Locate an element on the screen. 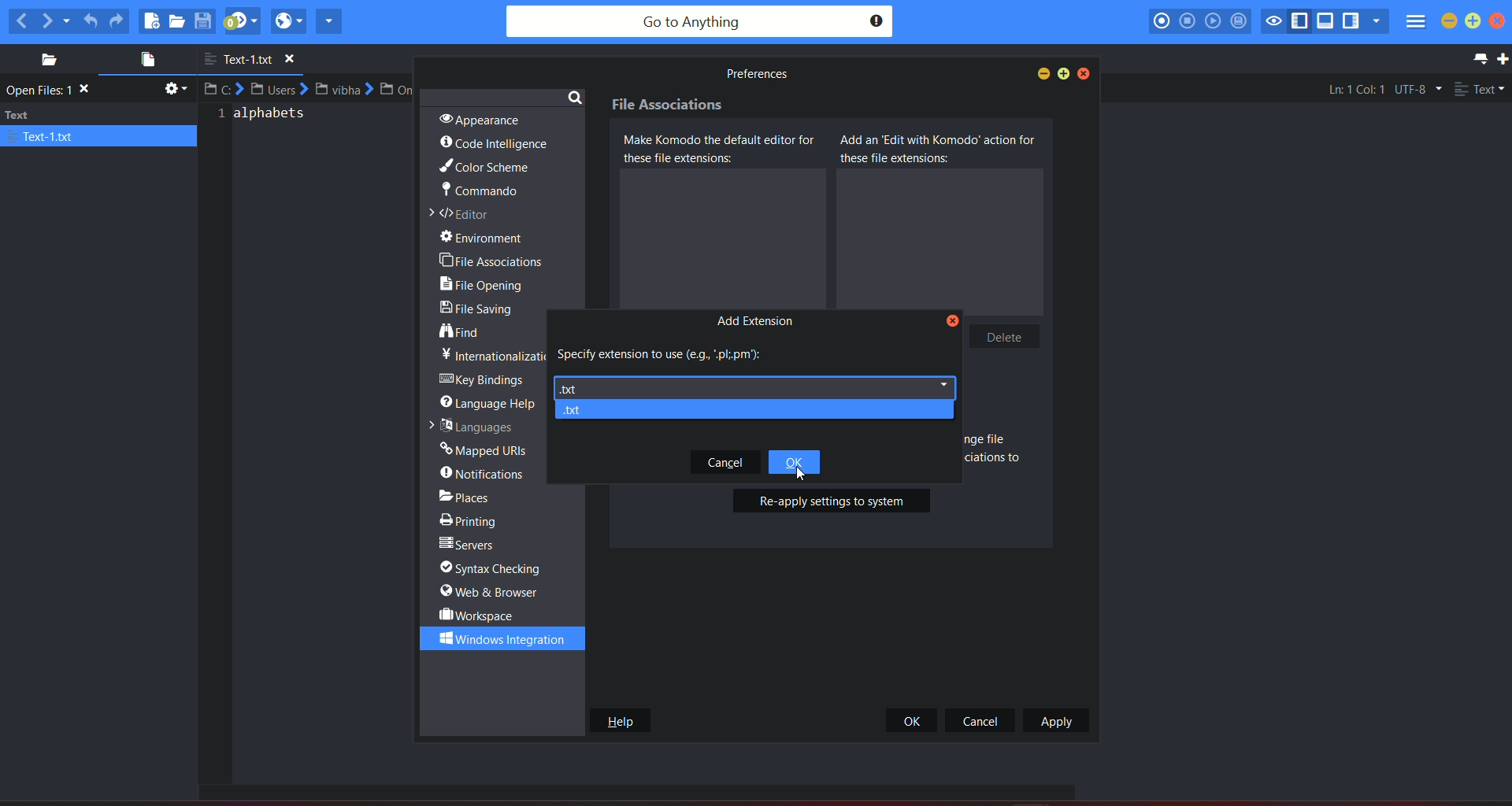  highlight is located at coordinates (755, 397).